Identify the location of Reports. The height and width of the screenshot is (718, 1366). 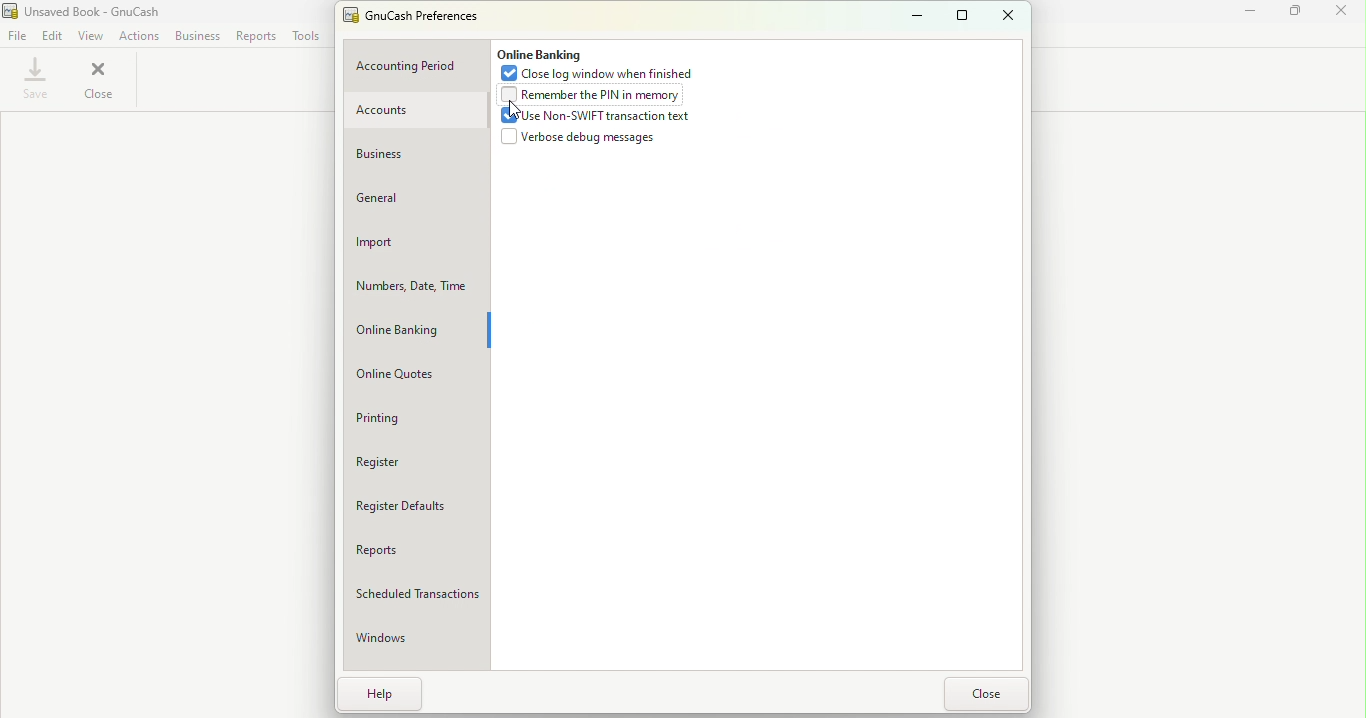
(414, 551).